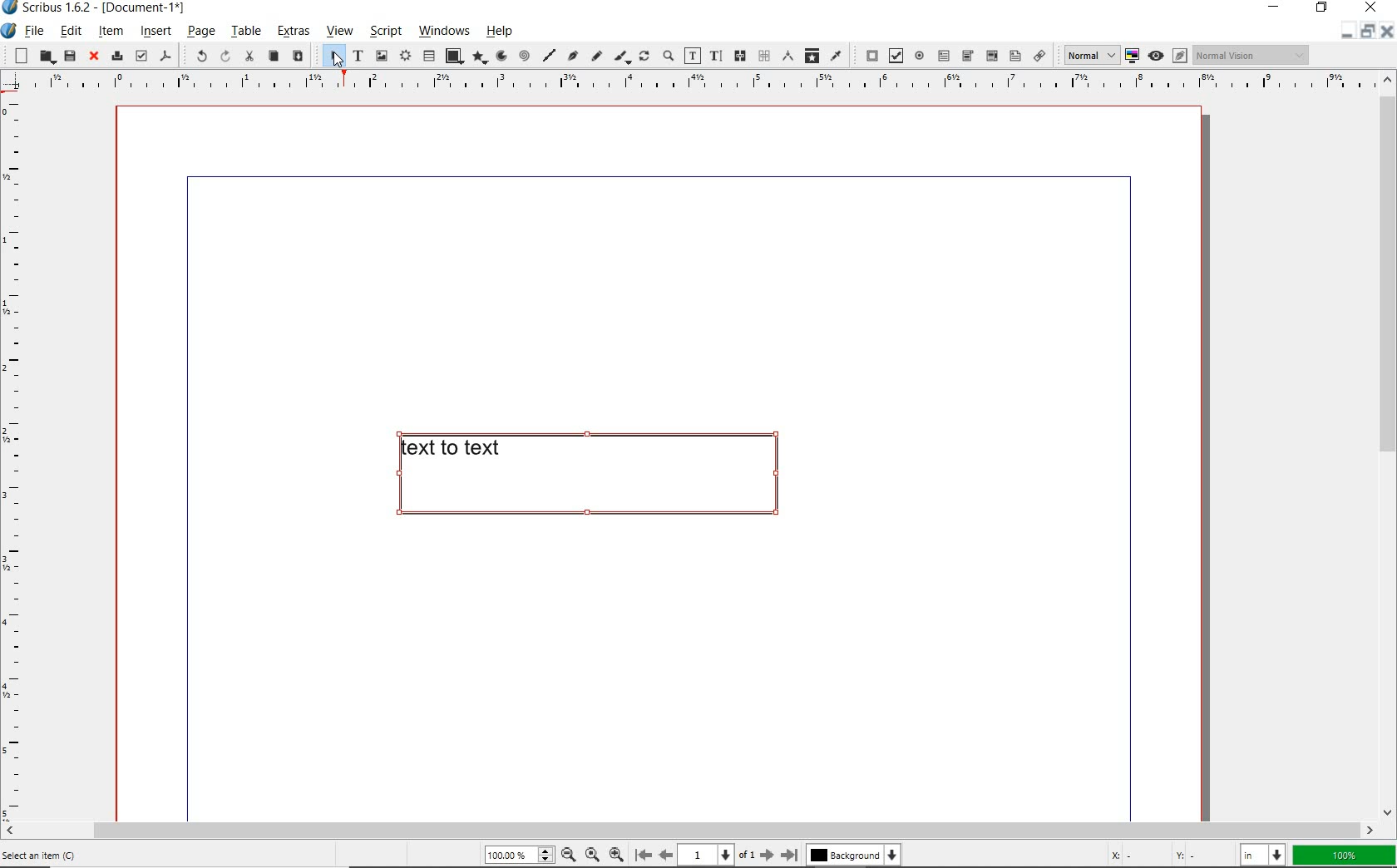 Image resolution: width=1397 pixels, height=868 pixels. Describe the element at coordinates (338, 33) in the screenshot. I see `view` at that location.